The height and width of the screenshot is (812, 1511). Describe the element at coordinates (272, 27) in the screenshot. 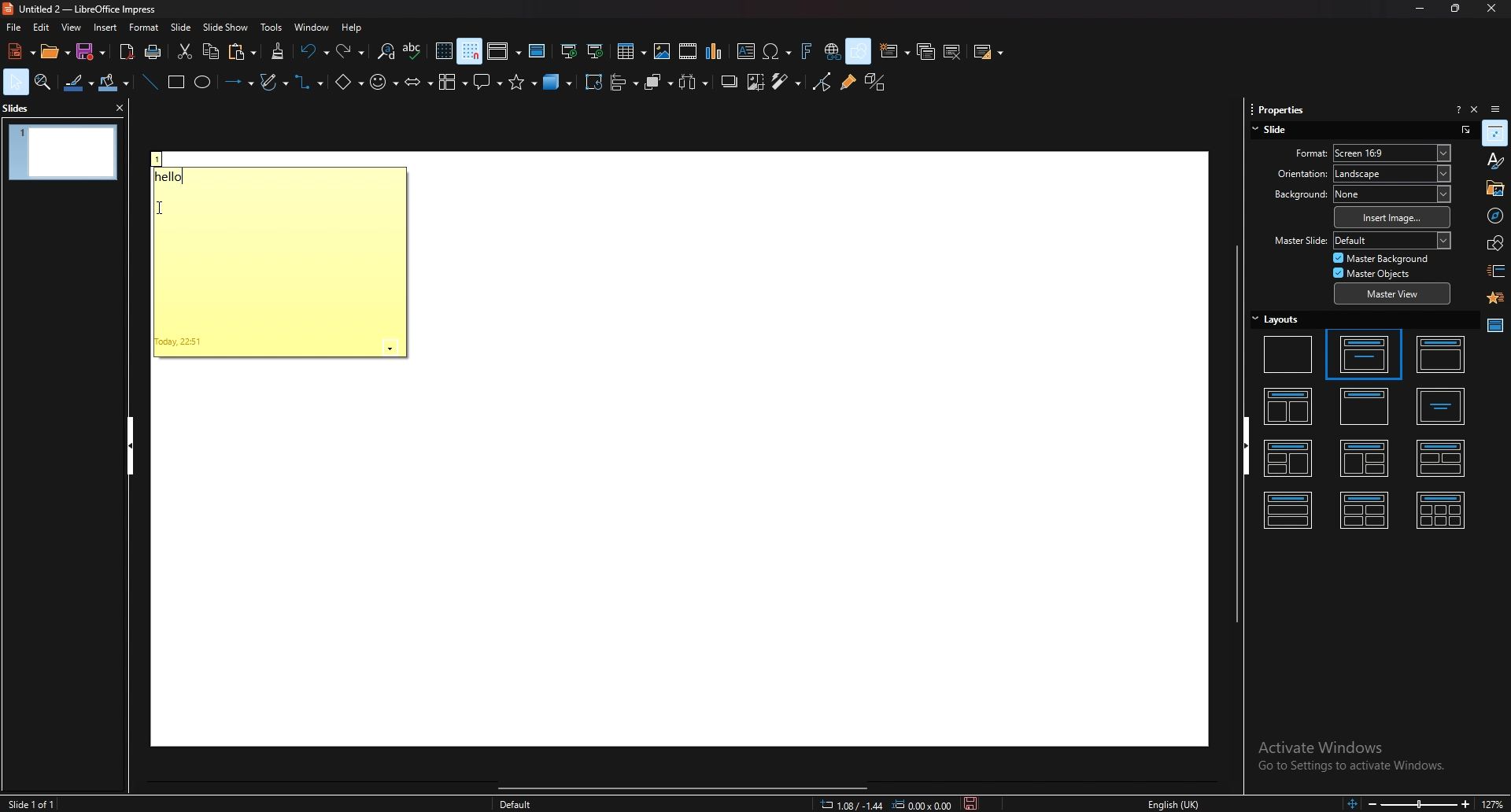

I see `tools` at that location.